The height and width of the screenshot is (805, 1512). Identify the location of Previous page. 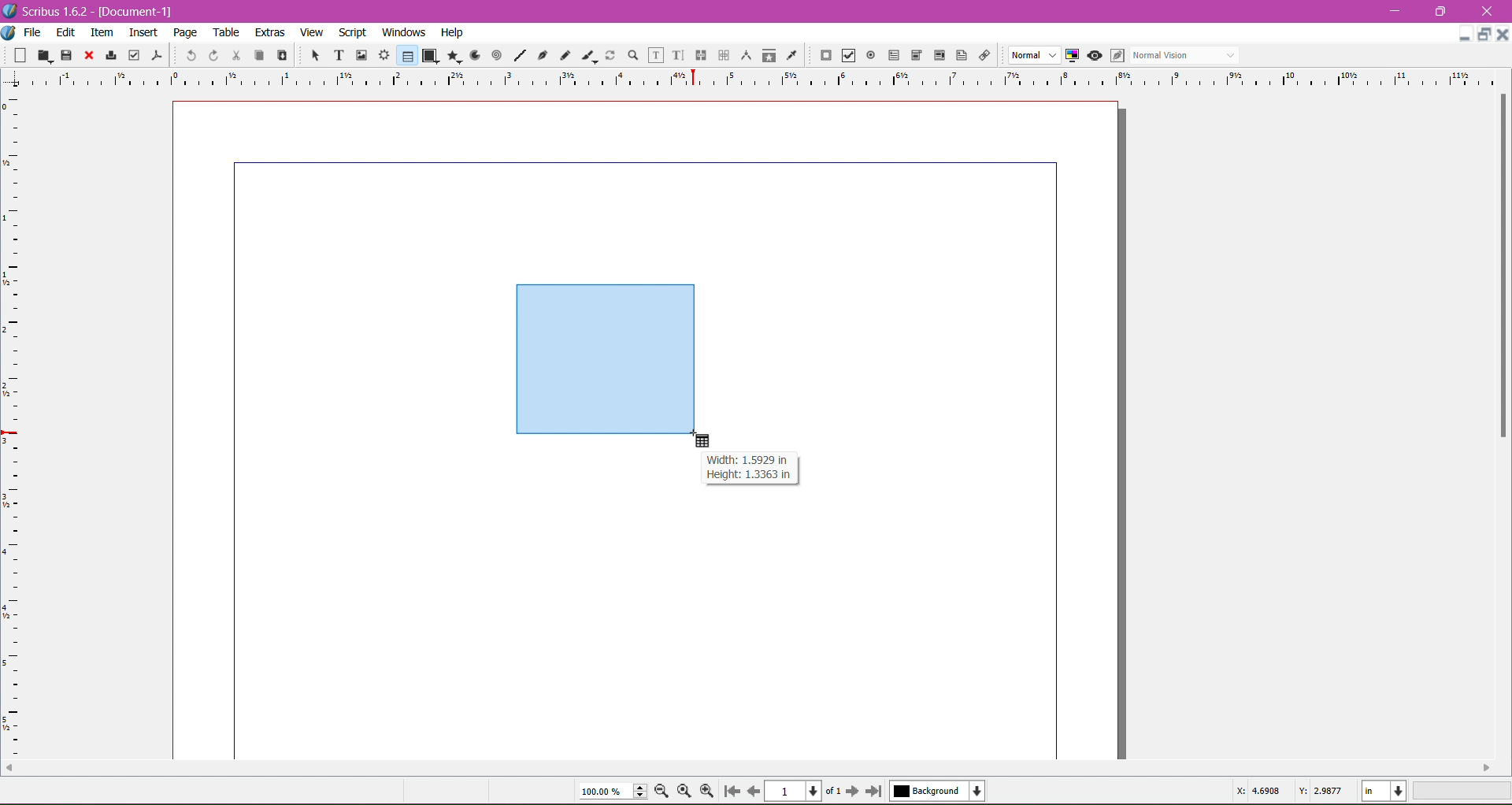
(753, 790).